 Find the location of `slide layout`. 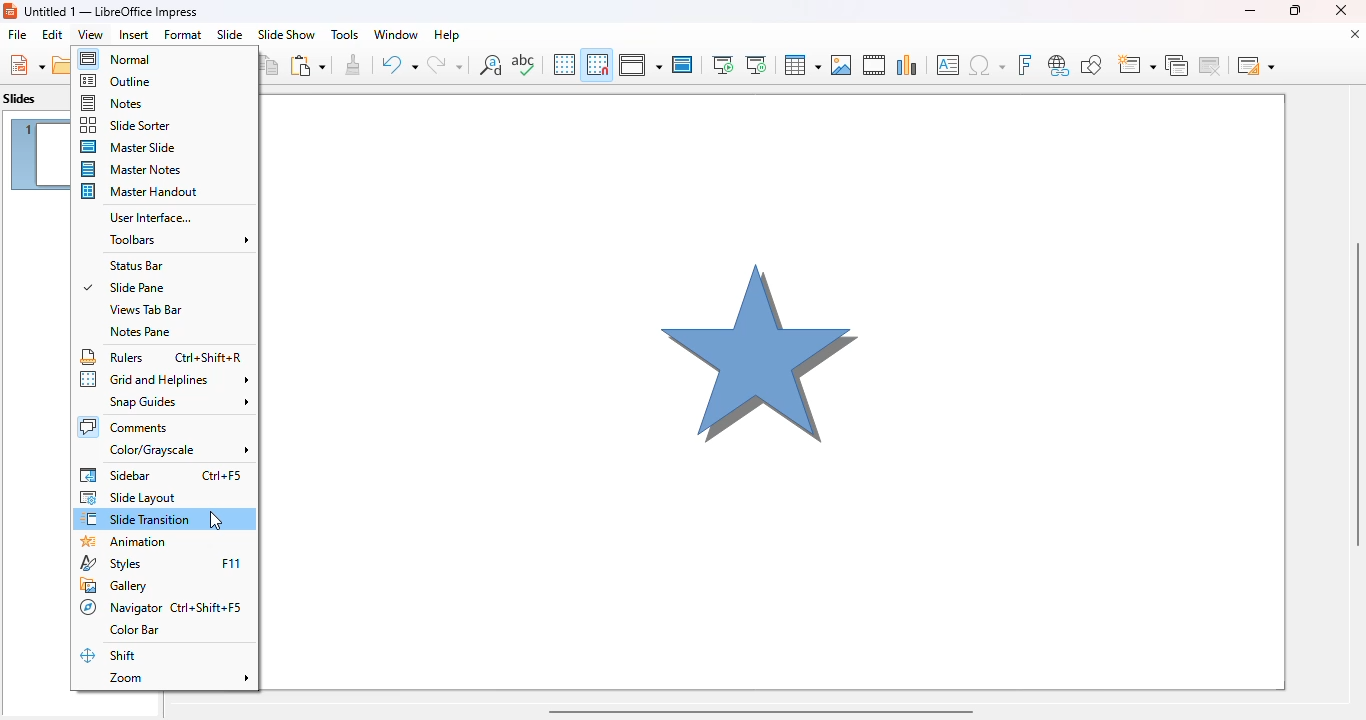

slide layout is located at coordinates (129, 497).